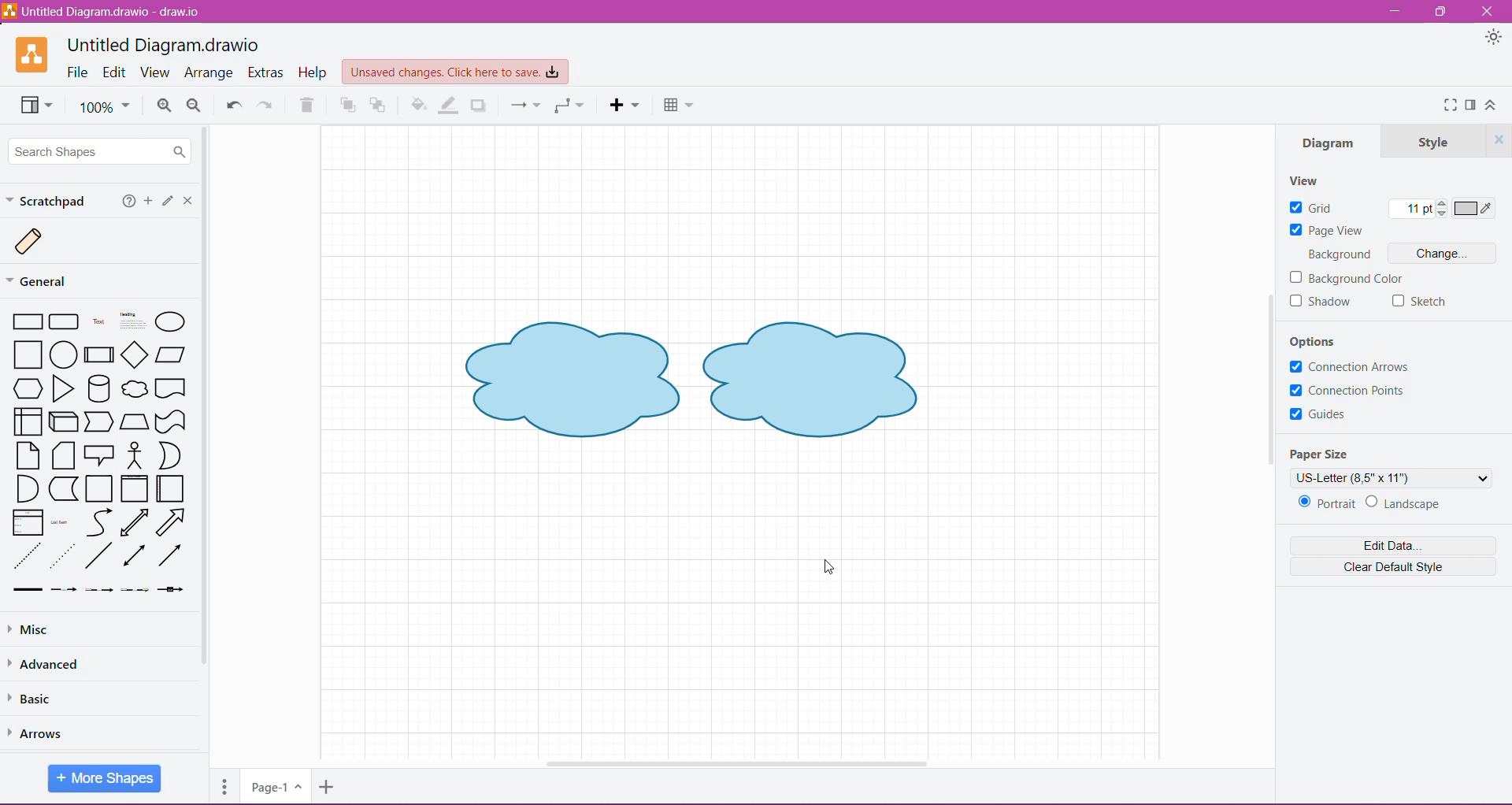  I want to click on Expand/Collapse, so click(1492, 107).